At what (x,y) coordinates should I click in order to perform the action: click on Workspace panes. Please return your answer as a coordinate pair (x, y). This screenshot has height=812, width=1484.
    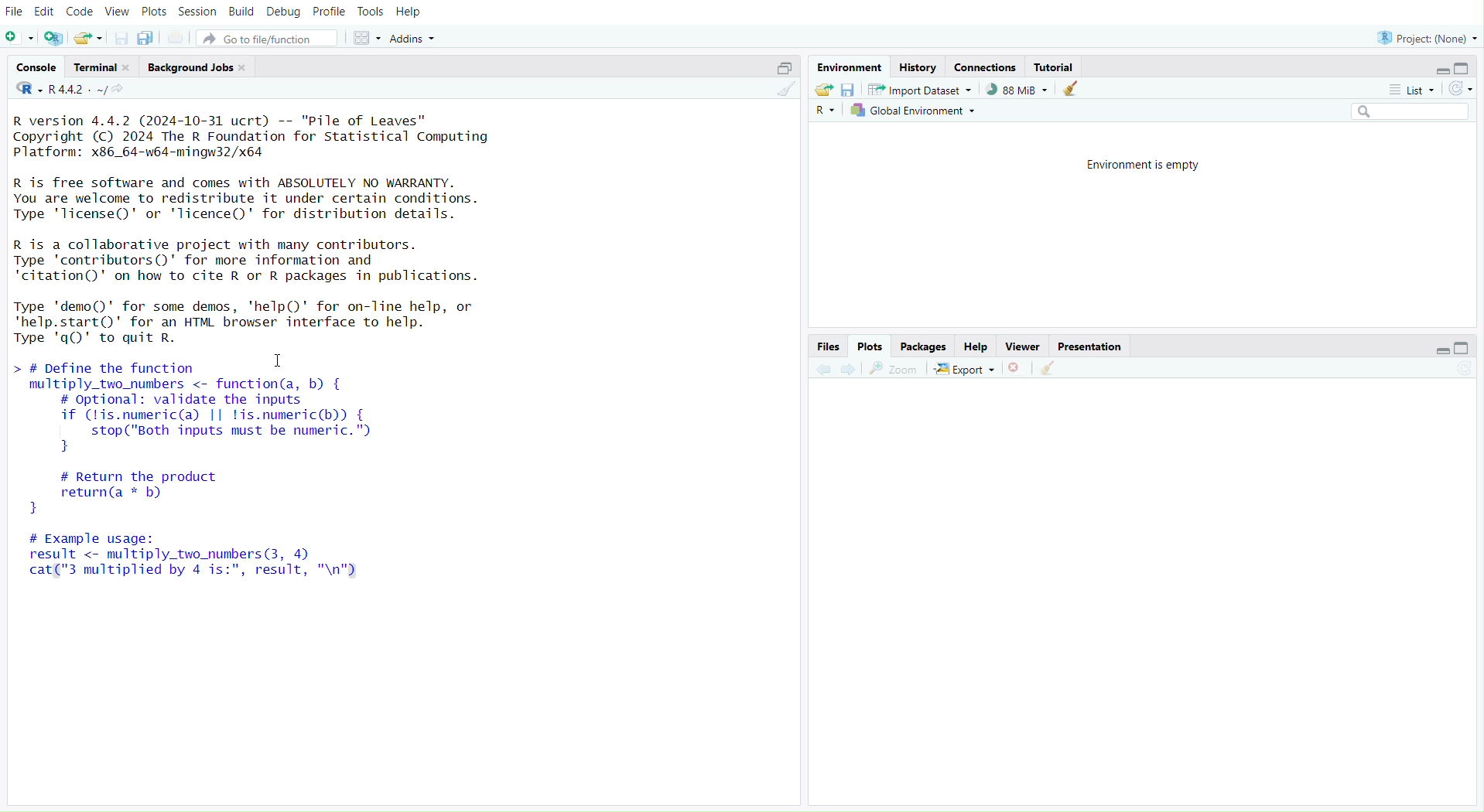
    Looking at the image, I should click on (364, 39).